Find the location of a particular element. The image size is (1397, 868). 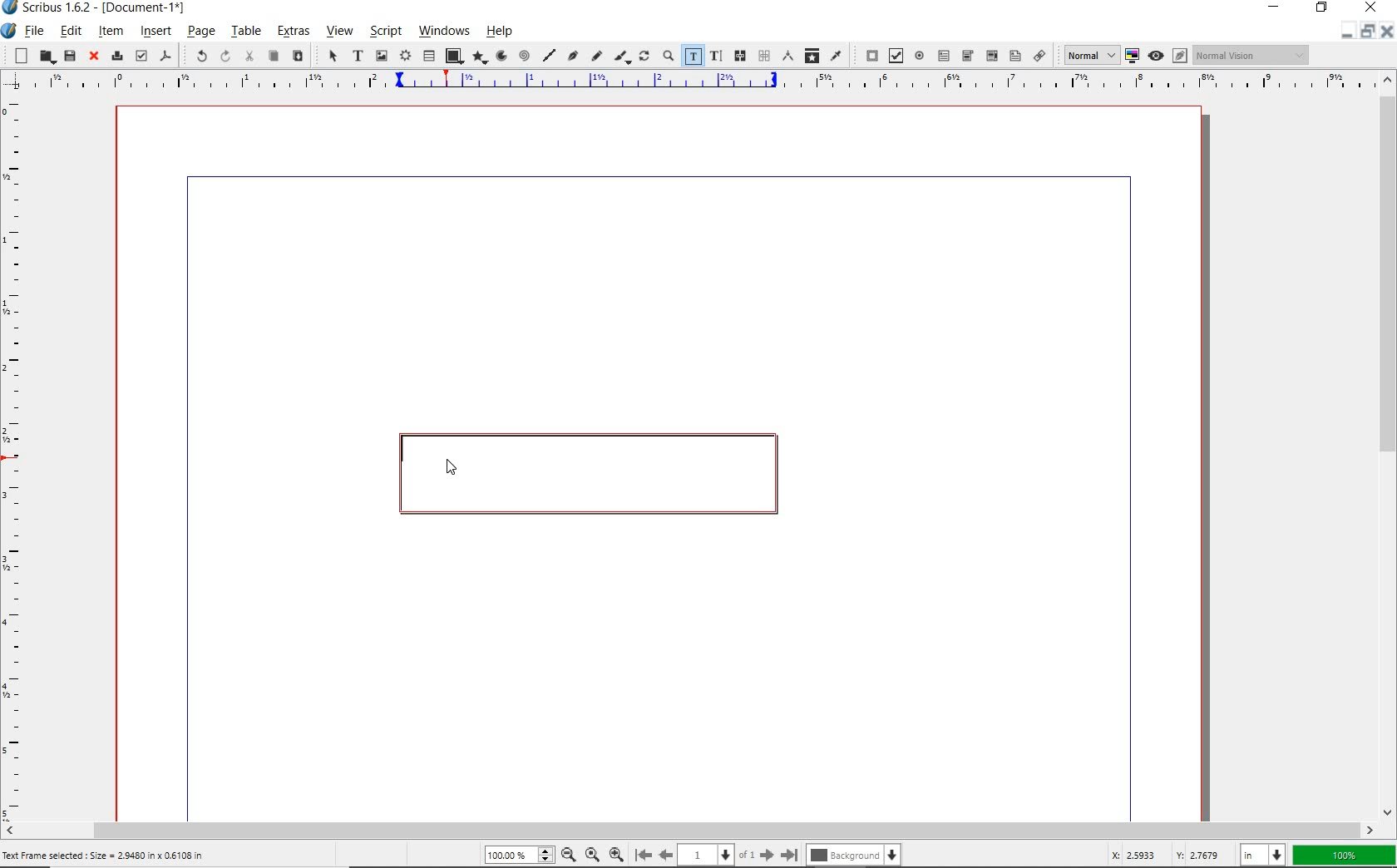

X: 2.5933 is located at coordinates (1137, 855).